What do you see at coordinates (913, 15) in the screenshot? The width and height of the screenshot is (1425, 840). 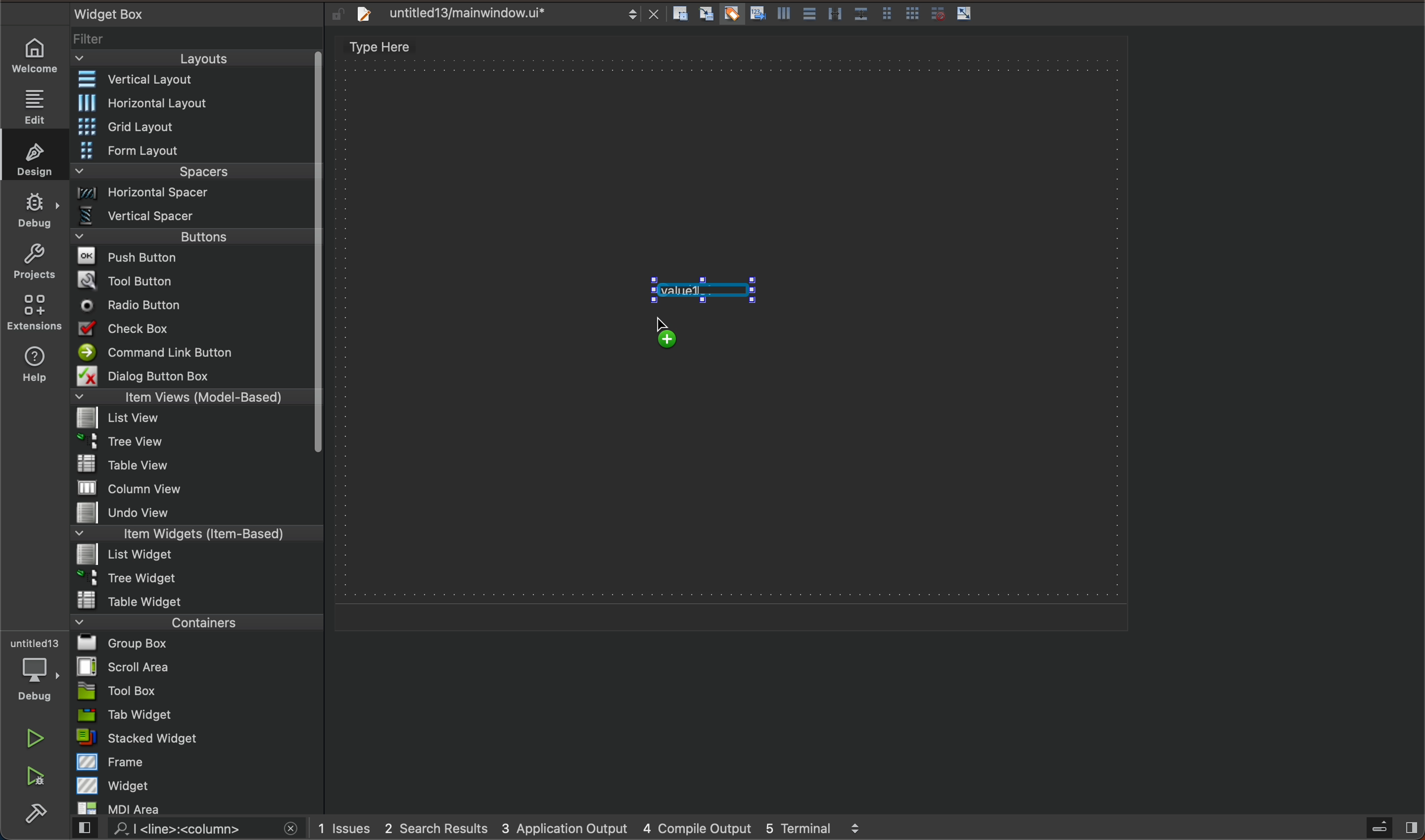 I see `` at bounding box center [913, 15].